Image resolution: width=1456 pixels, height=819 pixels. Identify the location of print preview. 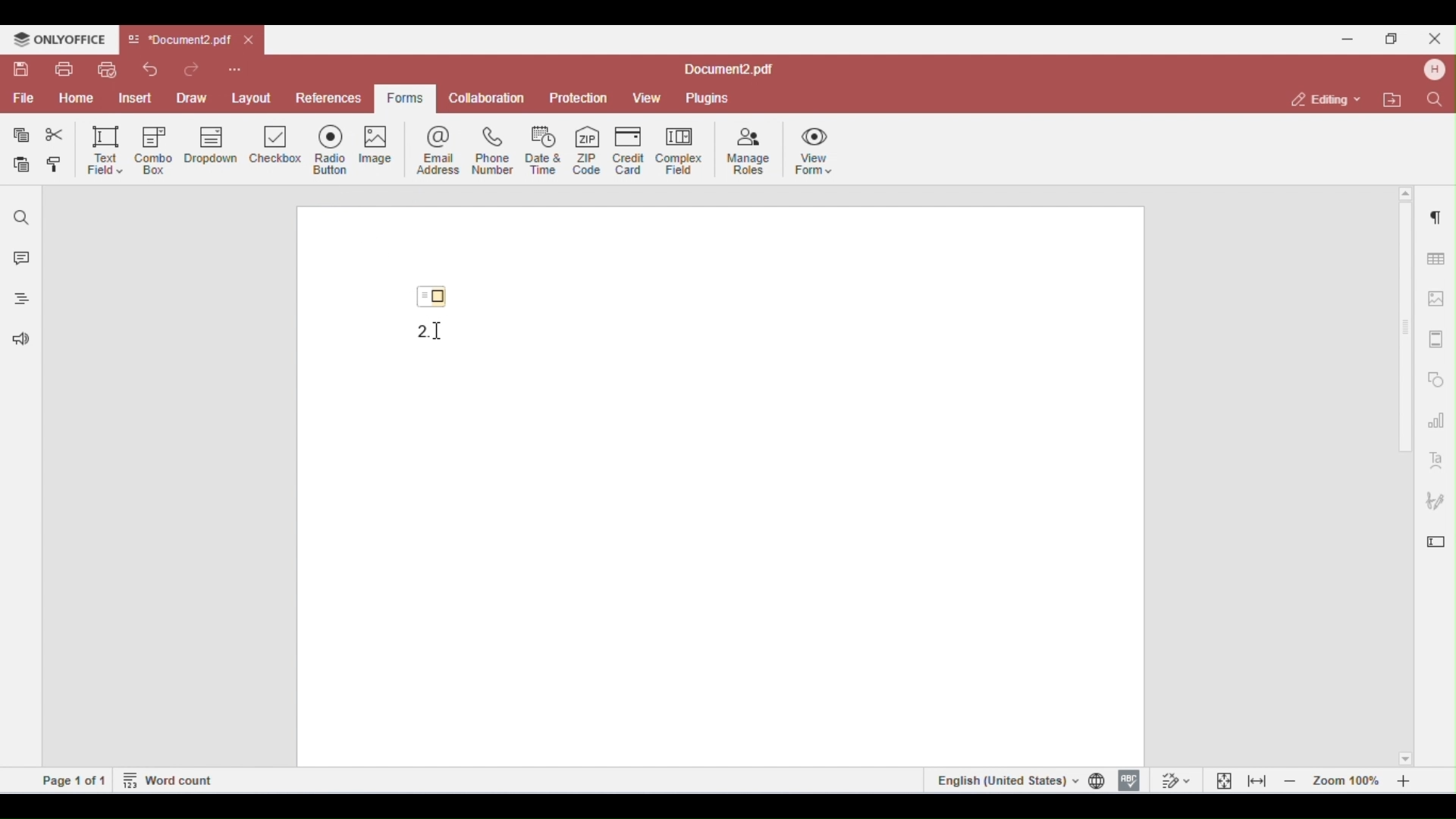
(106, 70).